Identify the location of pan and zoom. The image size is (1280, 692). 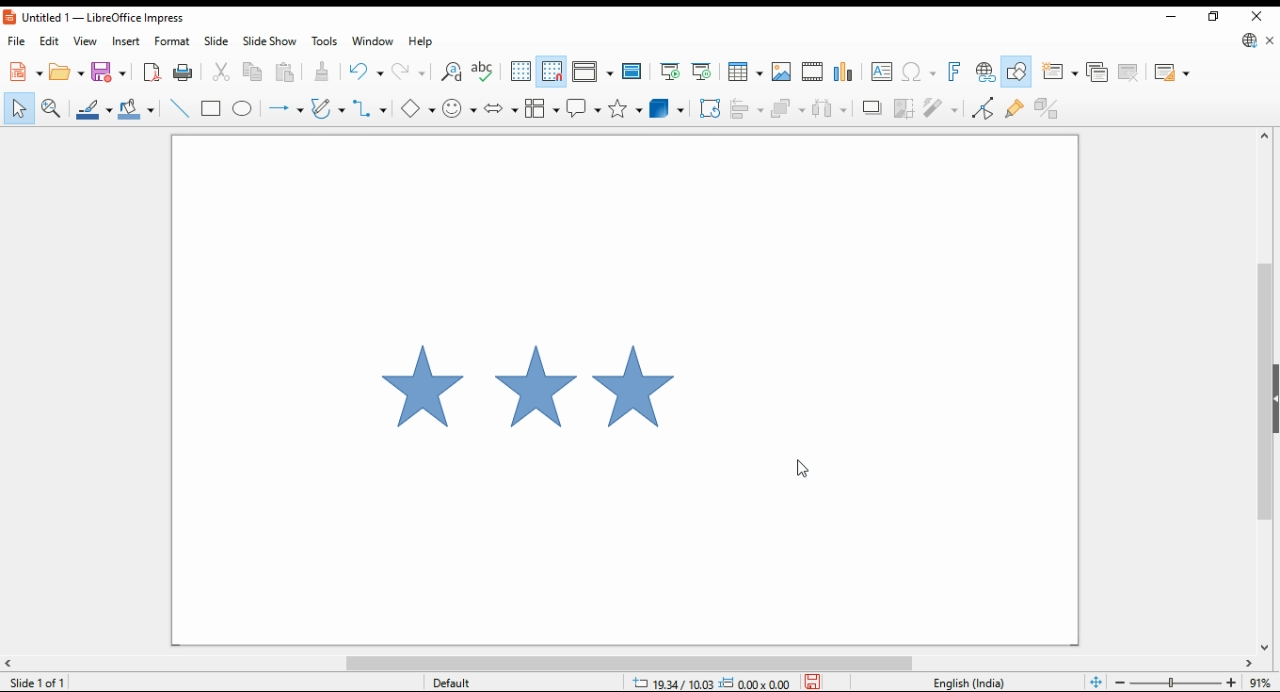
(52, 108).